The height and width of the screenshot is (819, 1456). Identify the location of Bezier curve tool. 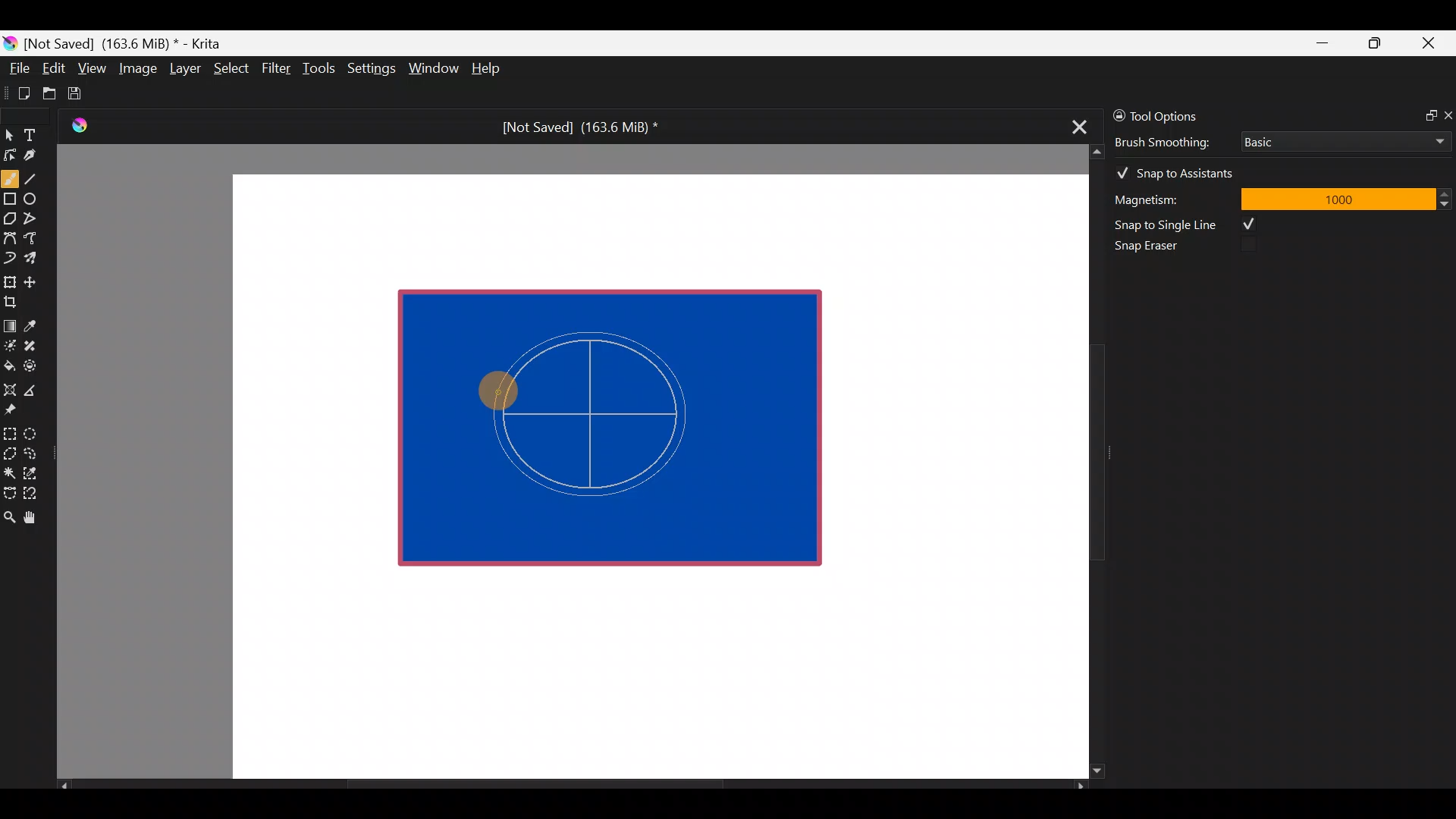
(9, 240).